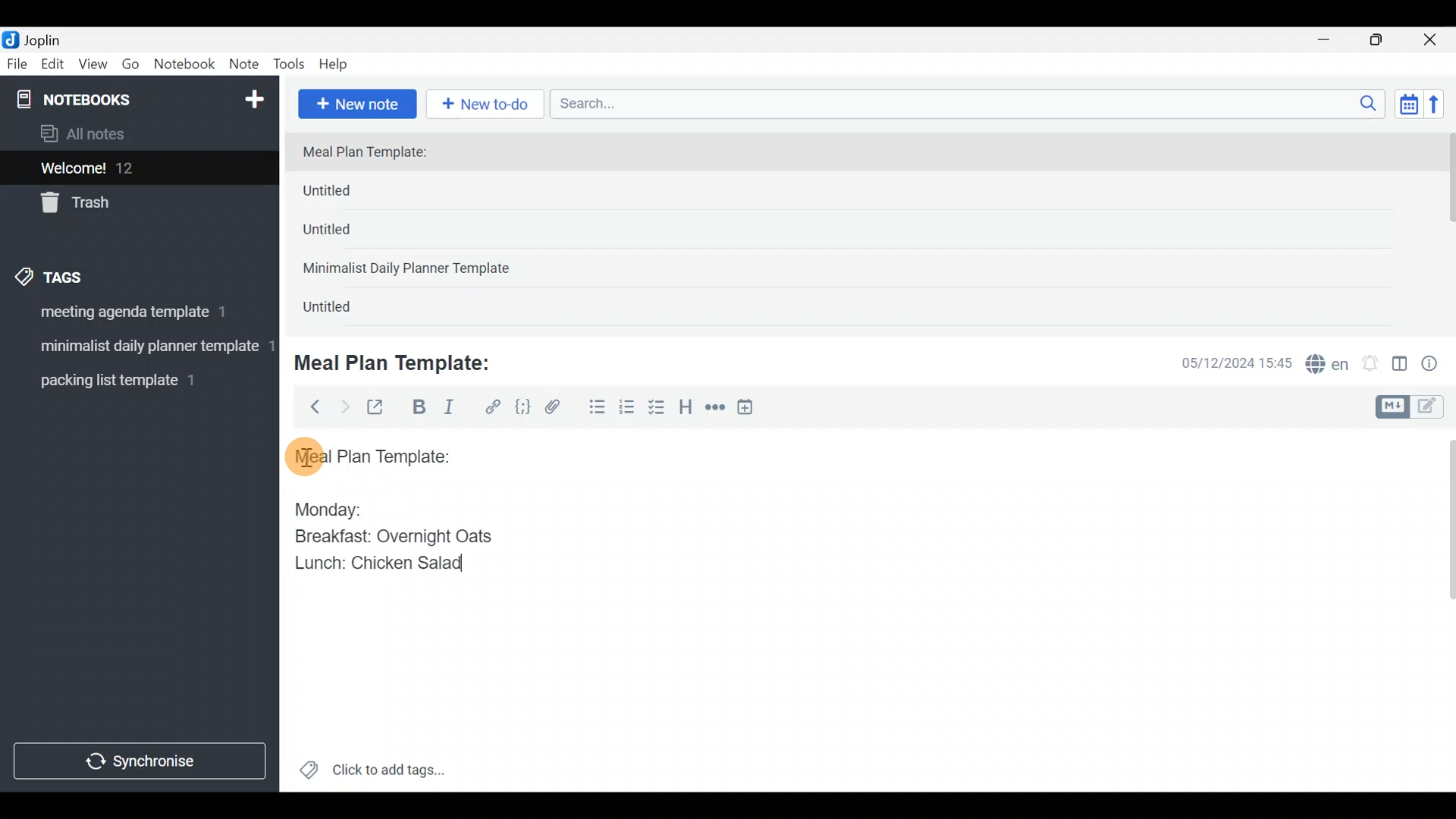  I want to click on Tag 2, so click(139, 348).